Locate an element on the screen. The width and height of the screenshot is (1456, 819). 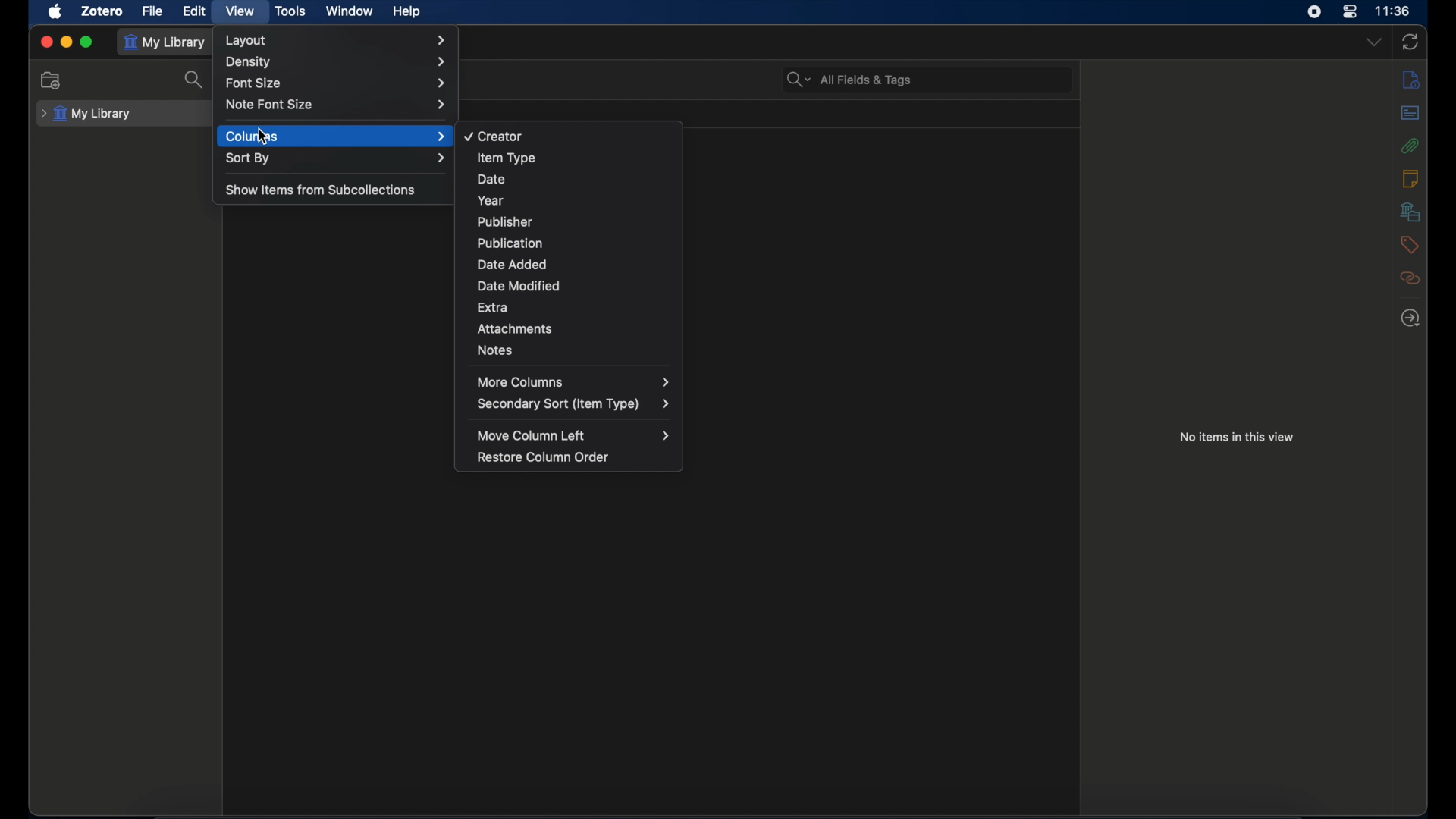
edit is located at coordinates (196, 11).